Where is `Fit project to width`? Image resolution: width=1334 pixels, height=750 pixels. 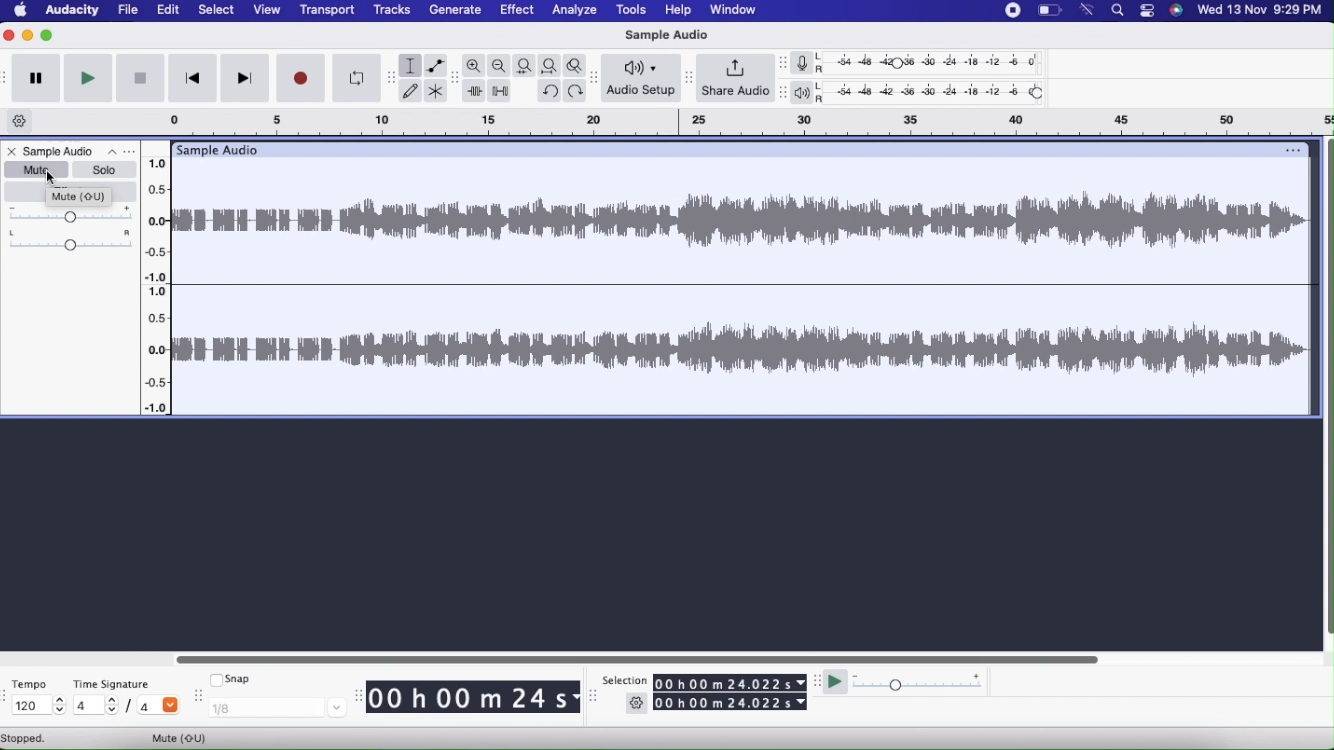
Fit project to width is located at coordinates (550, 65).